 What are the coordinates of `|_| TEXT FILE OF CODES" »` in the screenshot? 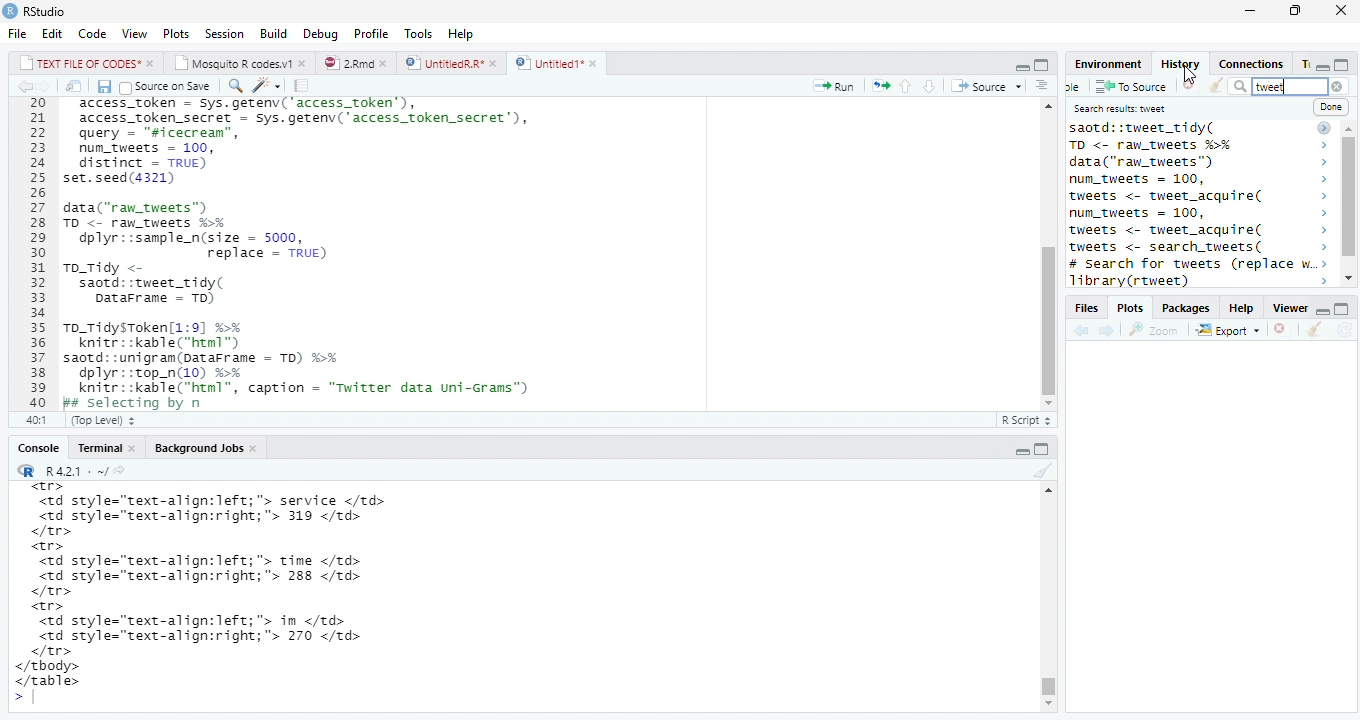 It's located at (76, 62).